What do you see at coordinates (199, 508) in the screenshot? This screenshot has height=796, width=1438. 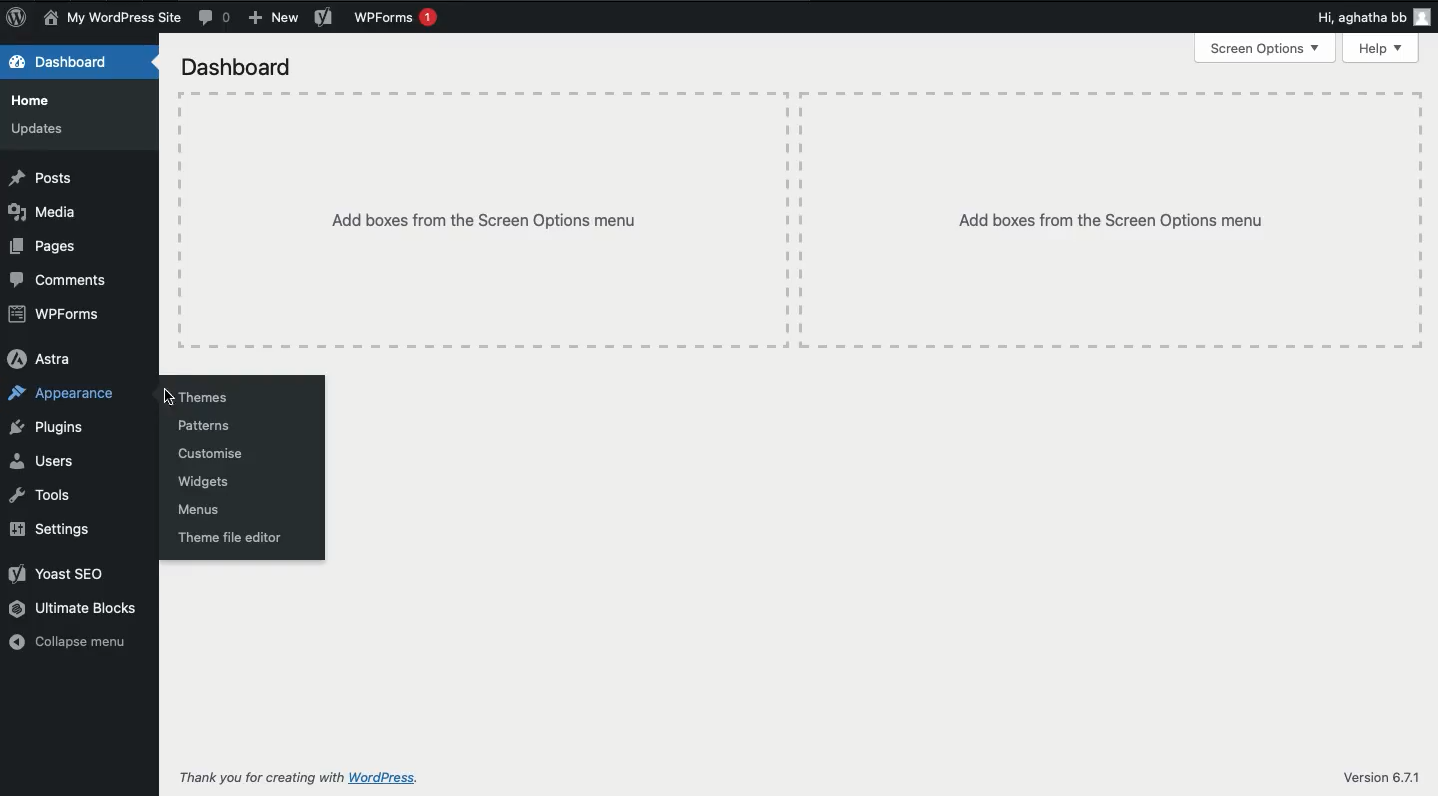 I see `Menus` at bounding box center [199, 508].